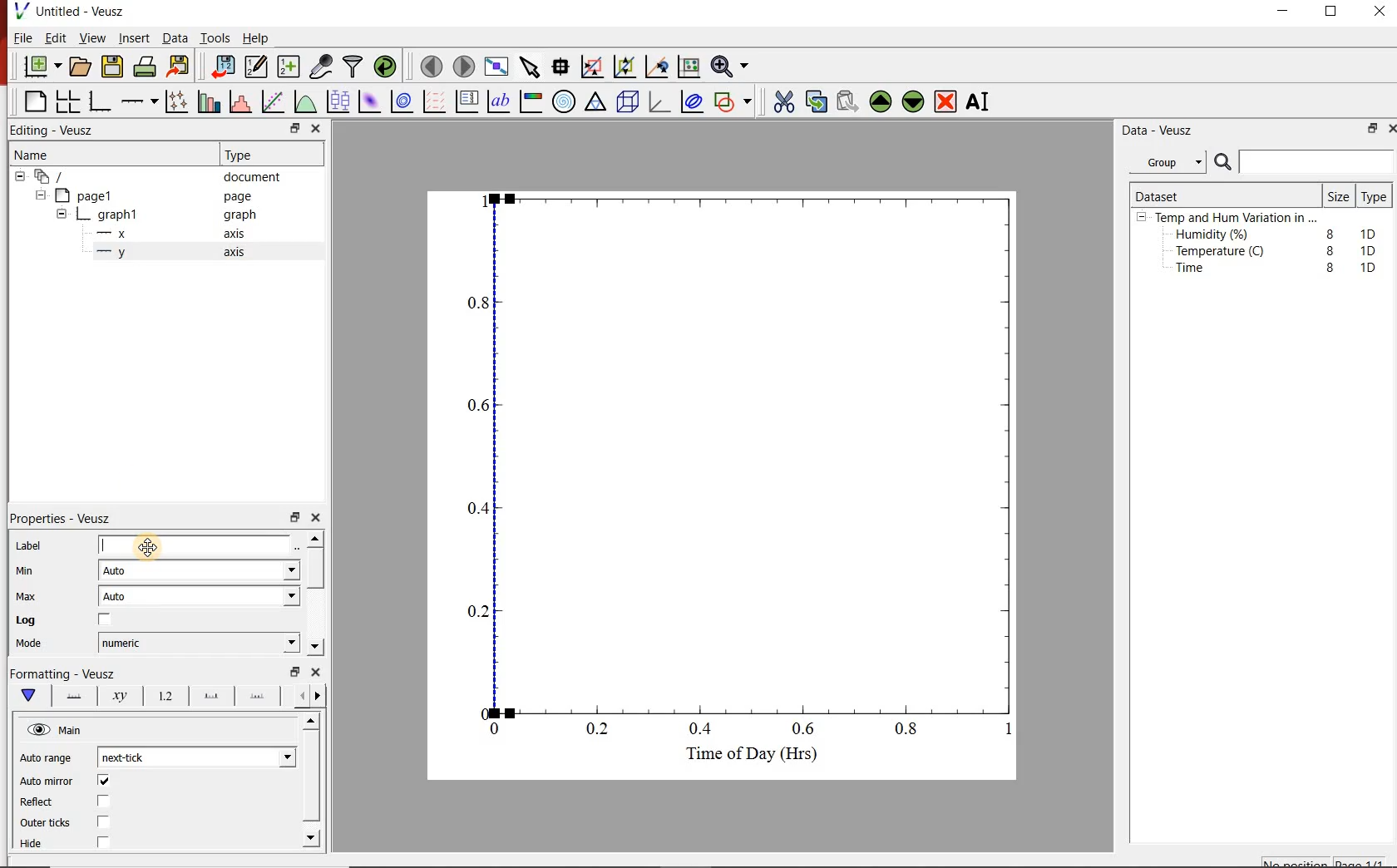 The image size is (1397, 868). I want to click on save the document, so click(113, 67).